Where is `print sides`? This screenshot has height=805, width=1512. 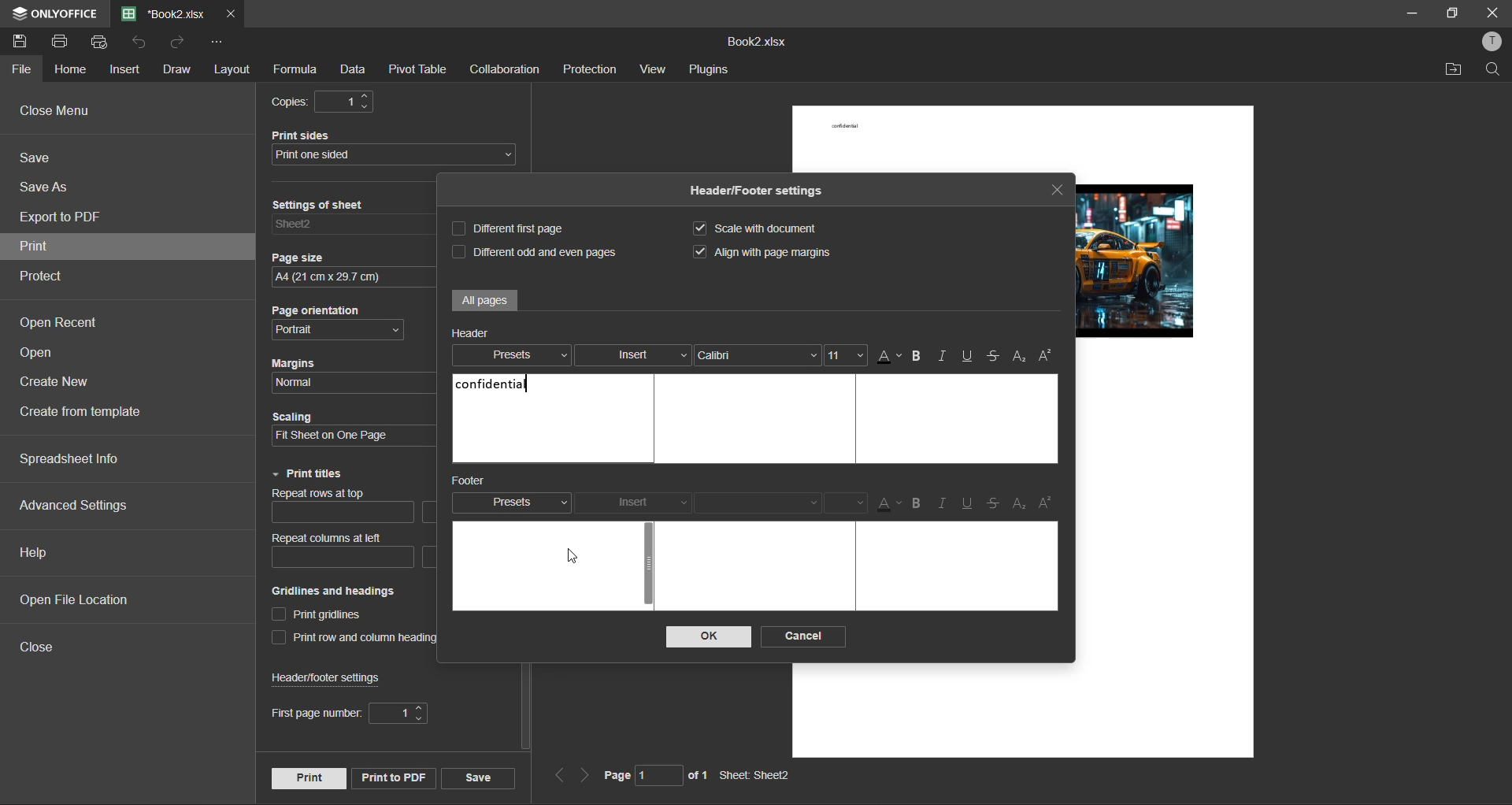 print sides is located at coordinates (396, 156).